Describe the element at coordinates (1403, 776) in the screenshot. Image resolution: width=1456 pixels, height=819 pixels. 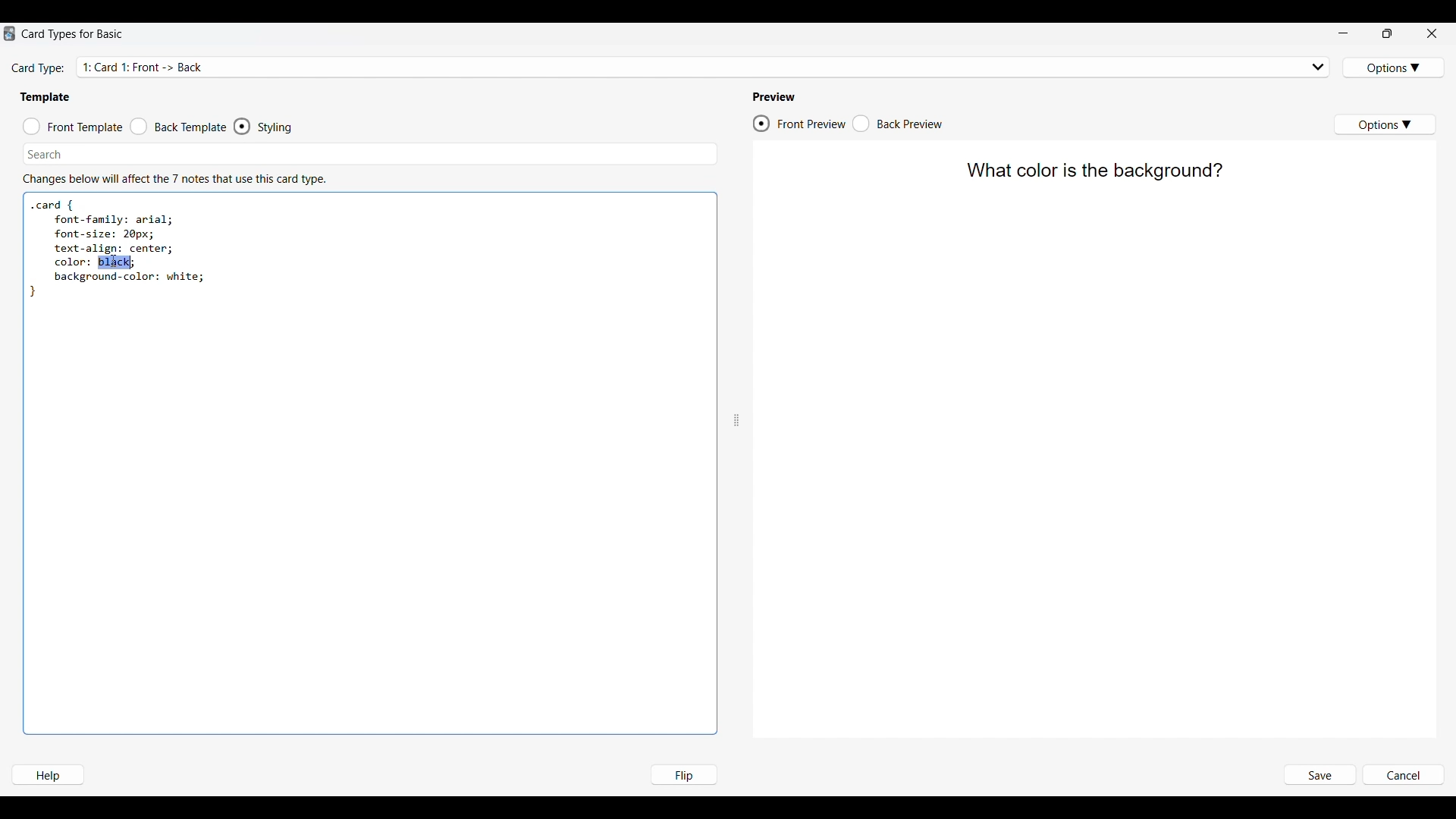
I see `Cancel` at that location.